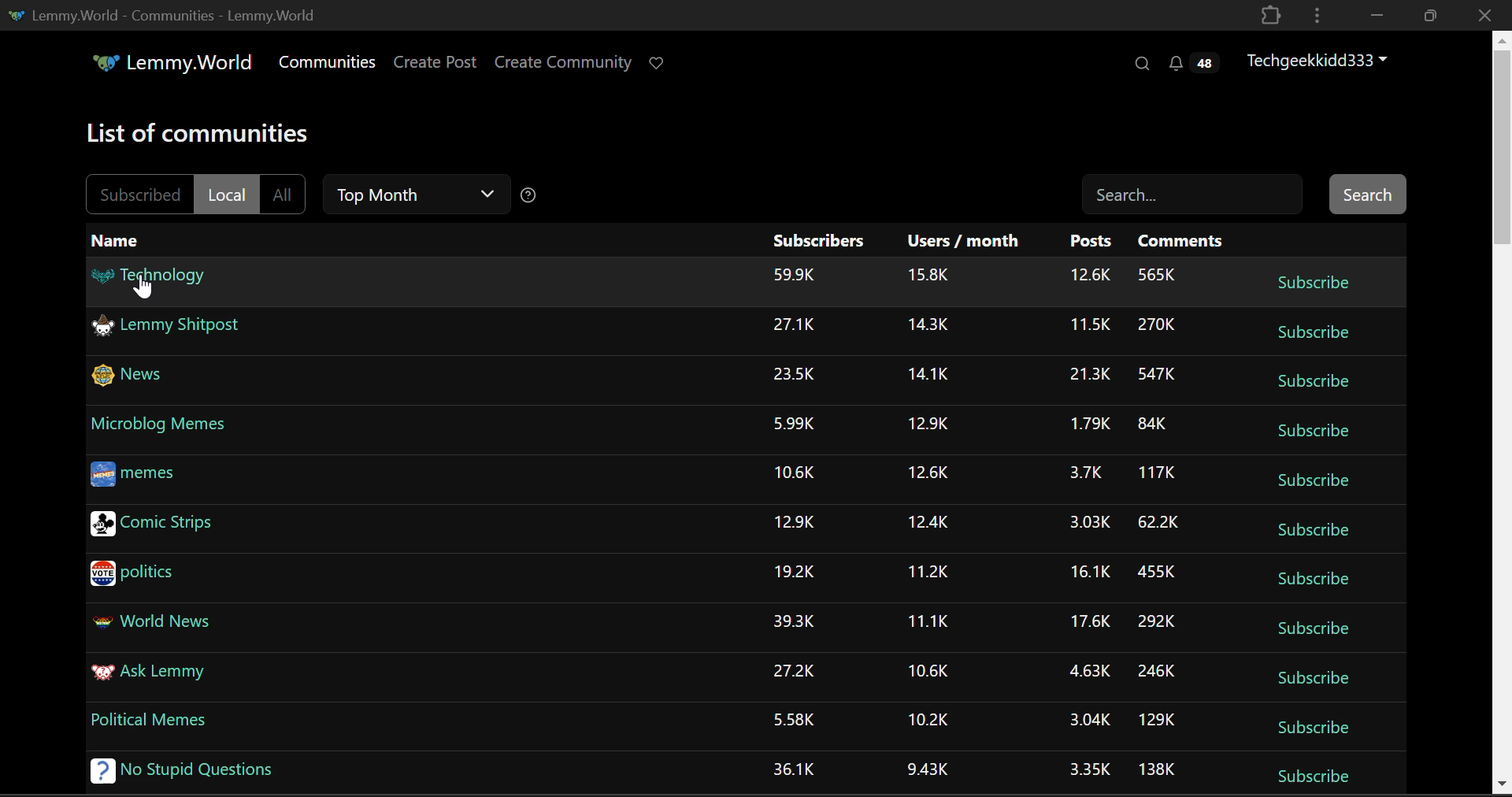 Image resolution: width=1512 pixels, height=797 pixels. What do you see at coordinates (435, 61) in the screenshot?
I see `Create Post` at bounding box center [435, 61].